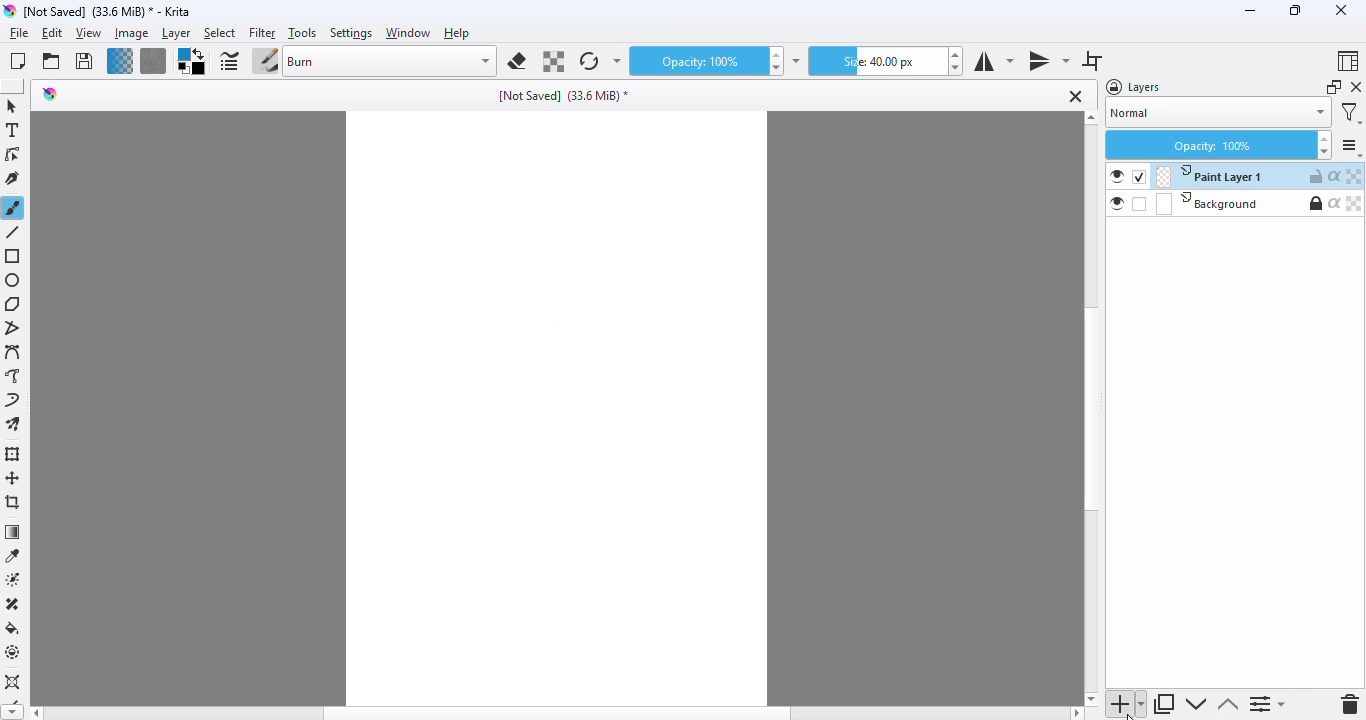 The width and height of the screenshot is (1366, 720). Describe the element at coordinates (10, 713) in the screenshot. I see `scroll down` at that location.